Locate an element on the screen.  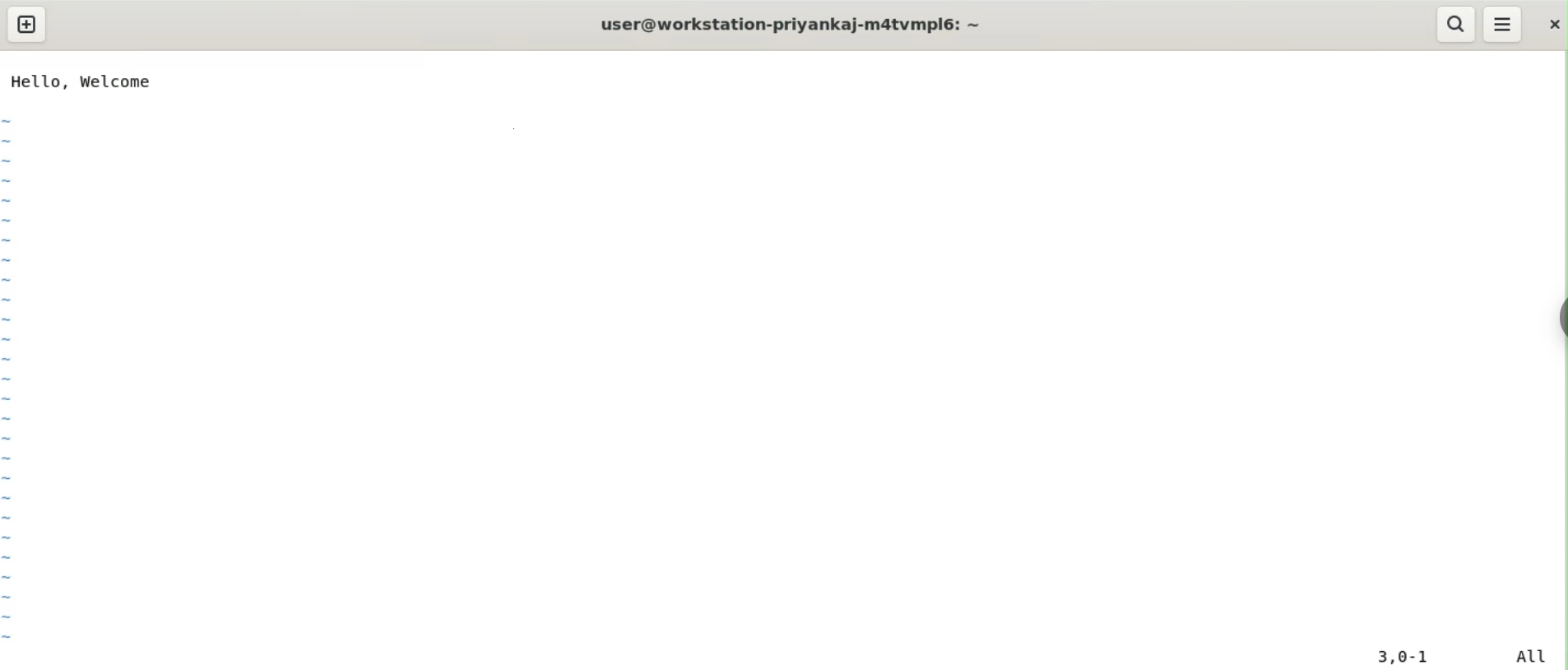
hello, welcome is located at coordinates (81, 81).